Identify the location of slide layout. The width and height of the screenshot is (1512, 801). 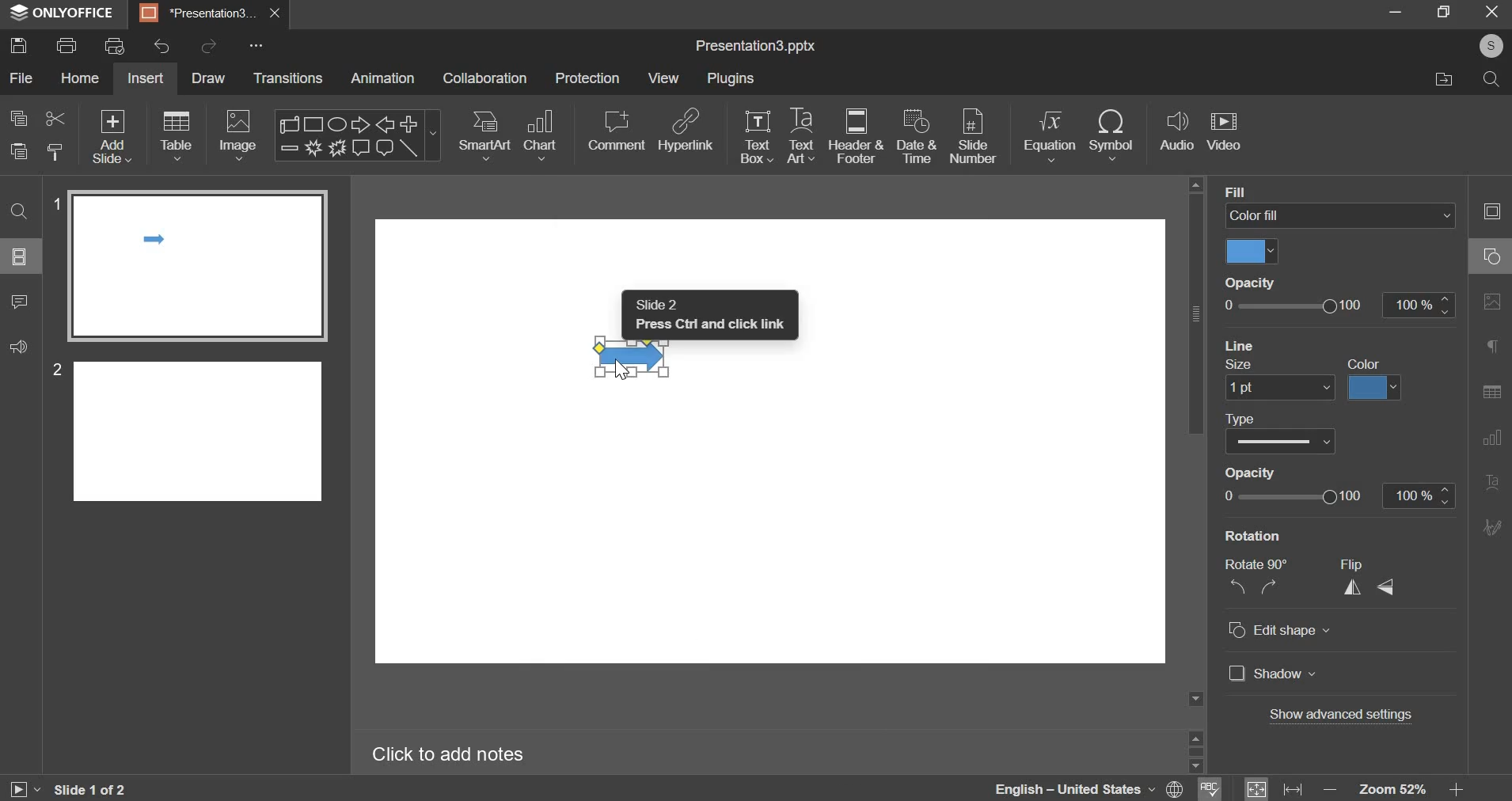
(19, 256).